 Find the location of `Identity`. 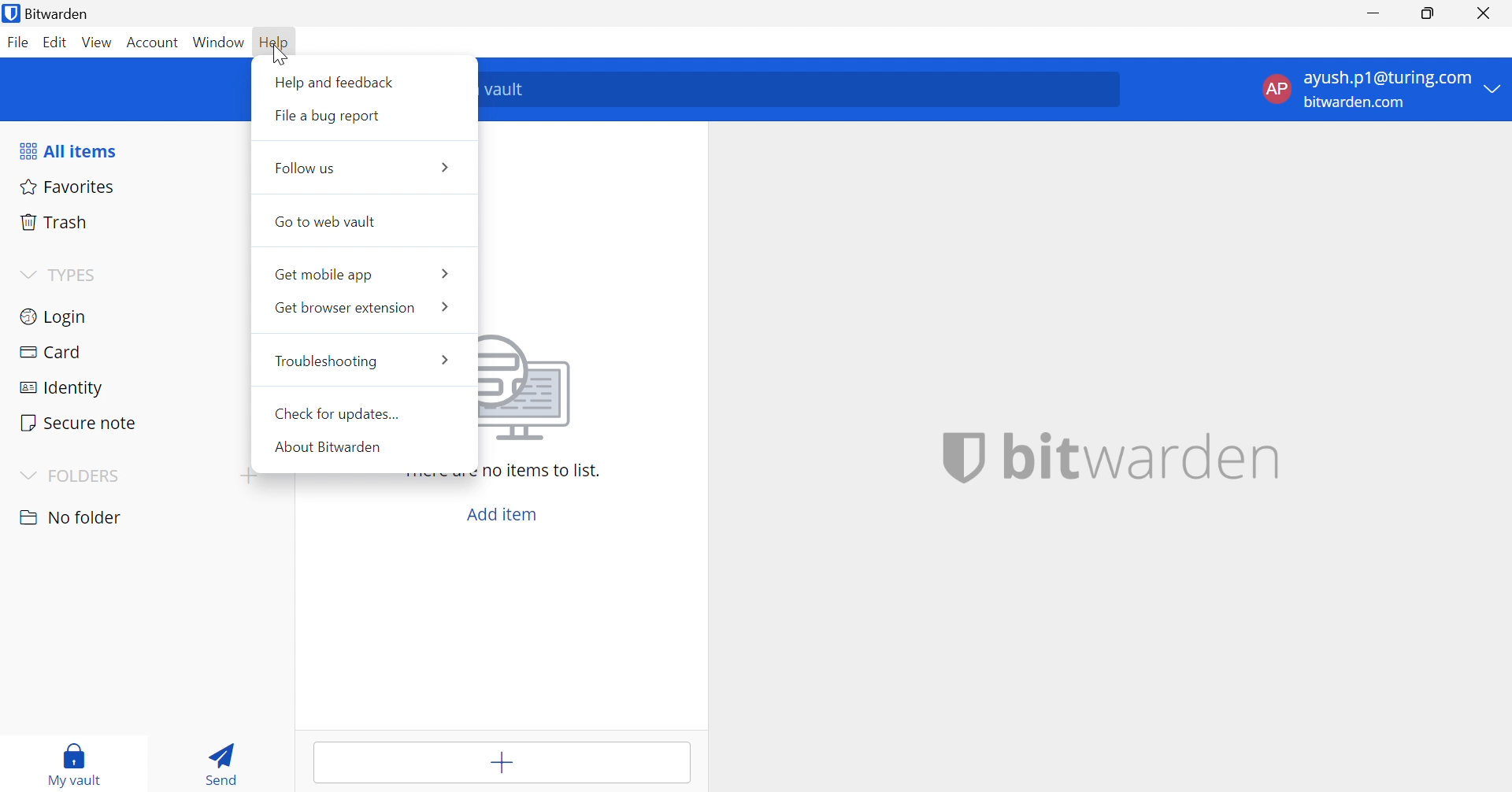

Identity is located at coordinates (128, 387).